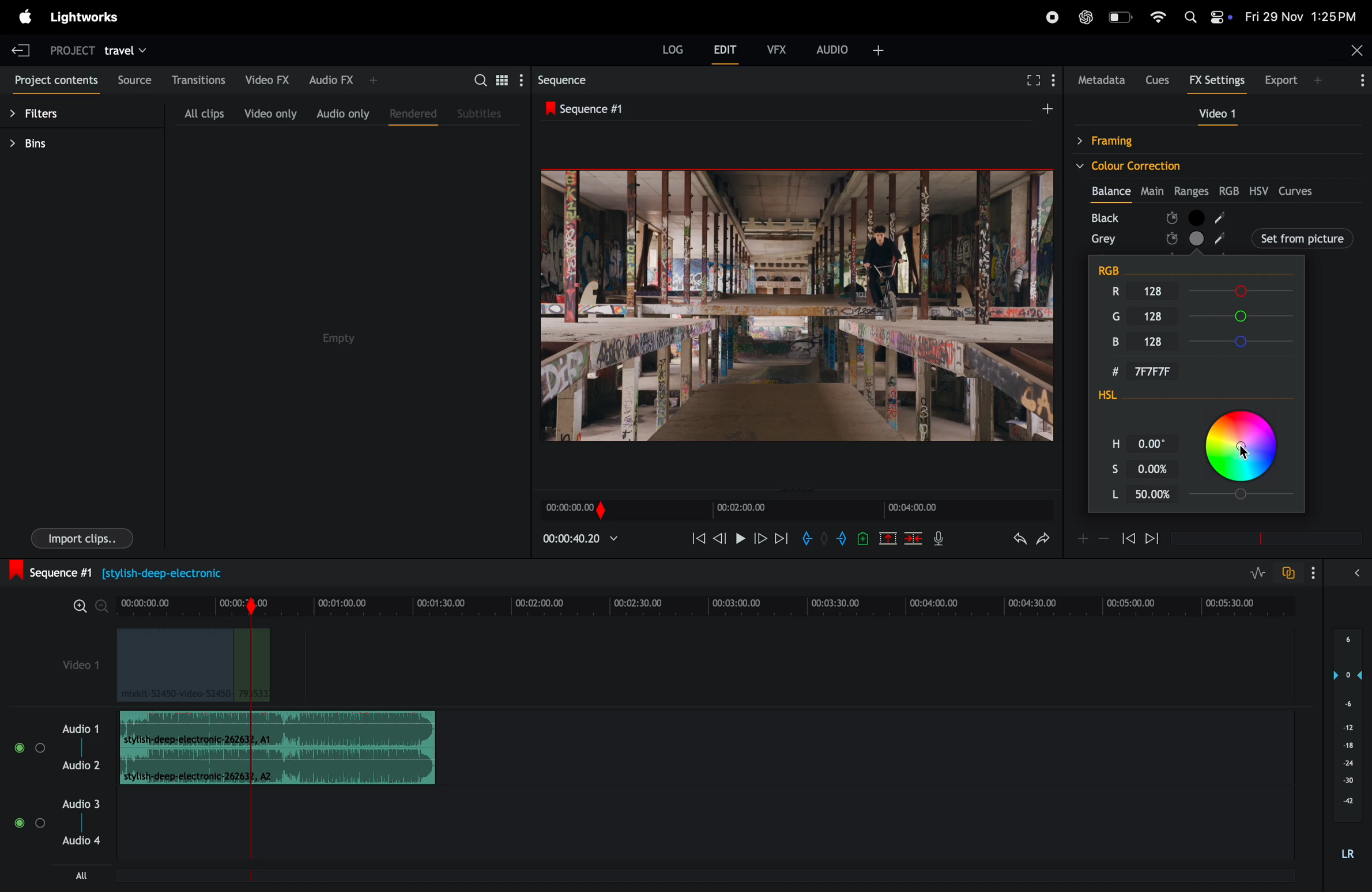  What do you see at coordinates (74, 662) in the screenshot?
I see `video 1` at bounding box center [74, 662].